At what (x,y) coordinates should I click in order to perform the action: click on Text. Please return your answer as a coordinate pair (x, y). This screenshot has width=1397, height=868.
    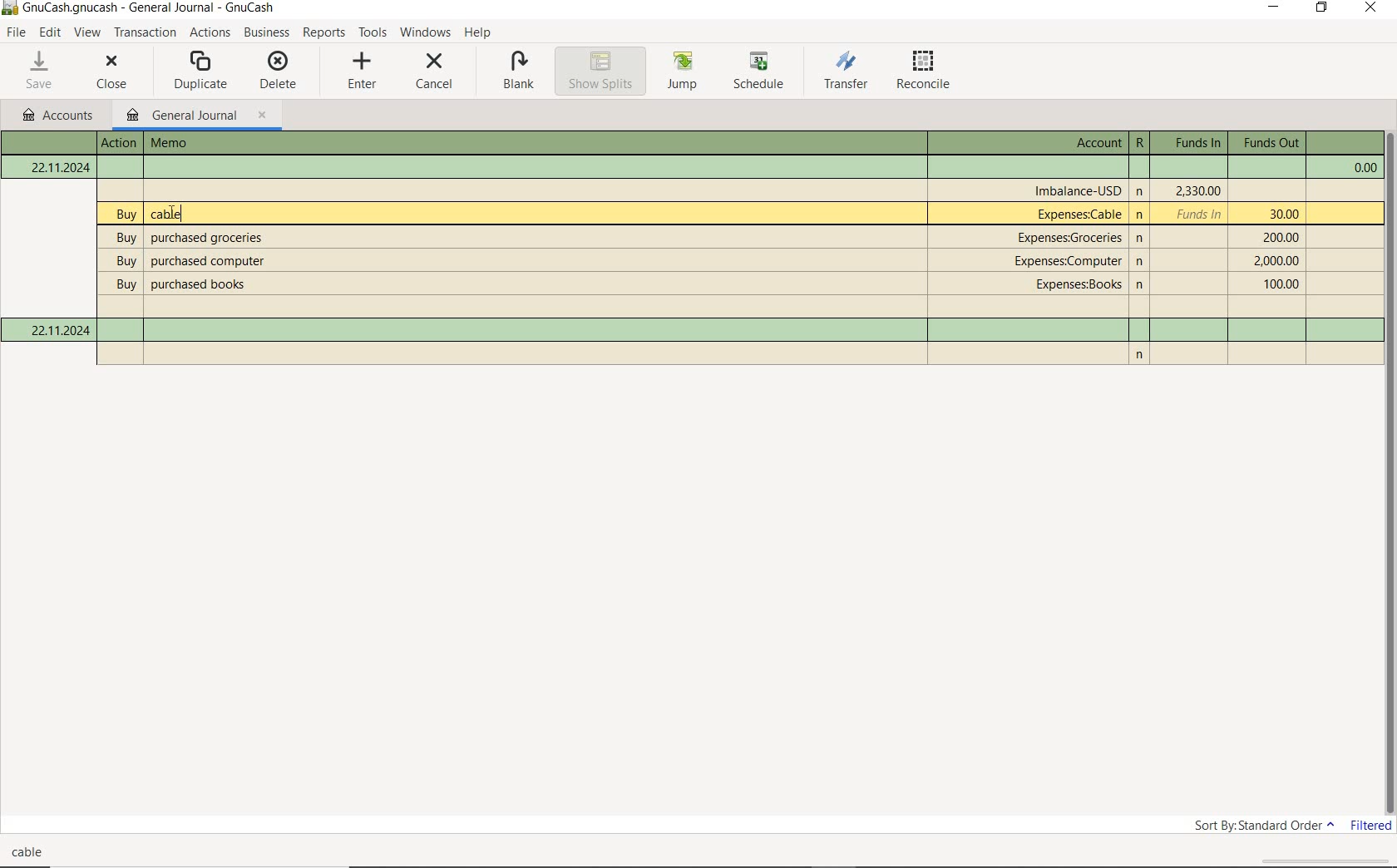
    Looking at the image, I should click on (693, 167).